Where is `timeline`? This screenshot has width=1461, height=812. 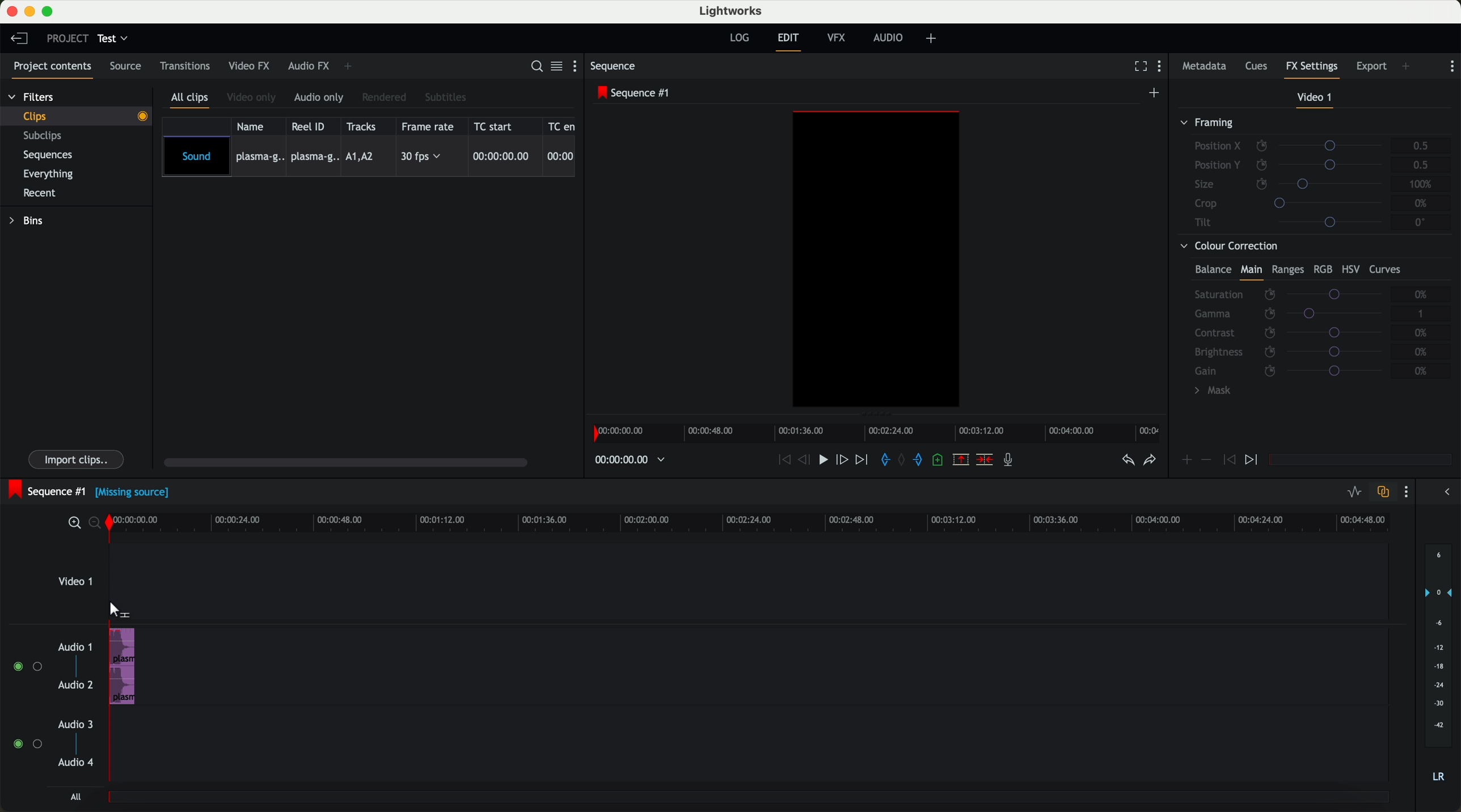
timeline is located at coordinates (880, 433).